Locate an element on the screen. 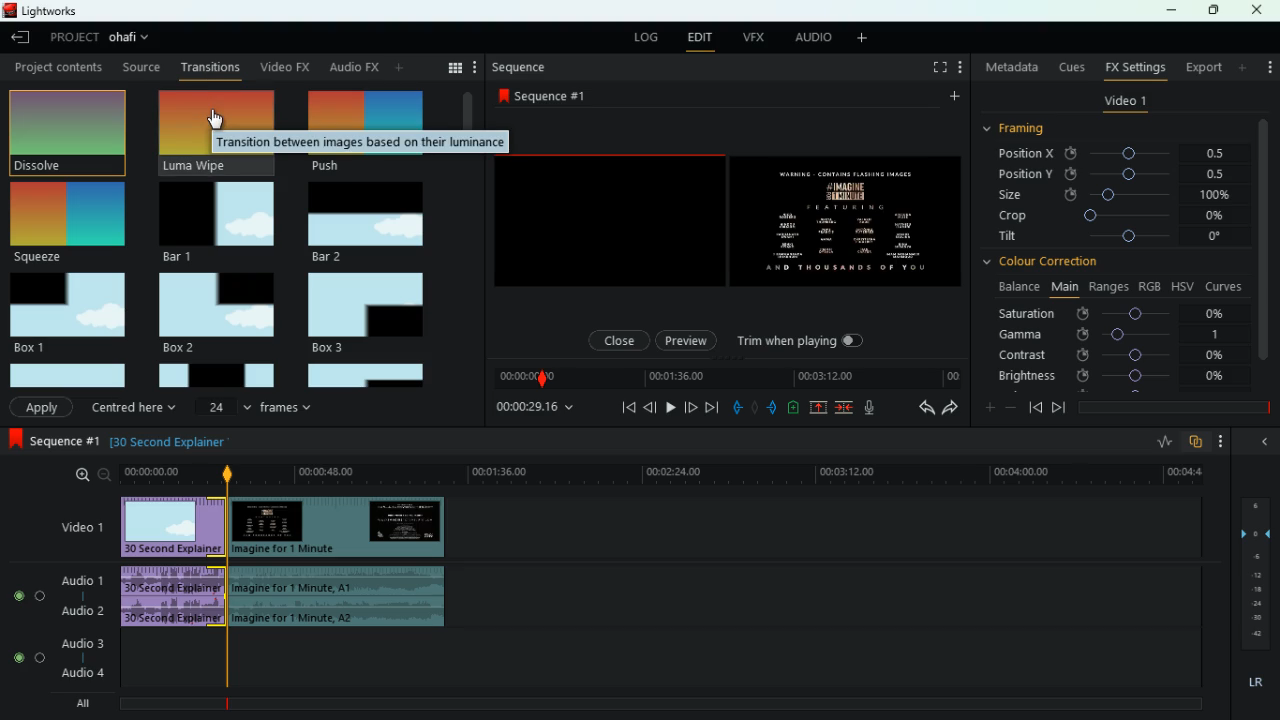 This screenshot has width=1280, height=720. zoom is located at coordinates (90, 475).